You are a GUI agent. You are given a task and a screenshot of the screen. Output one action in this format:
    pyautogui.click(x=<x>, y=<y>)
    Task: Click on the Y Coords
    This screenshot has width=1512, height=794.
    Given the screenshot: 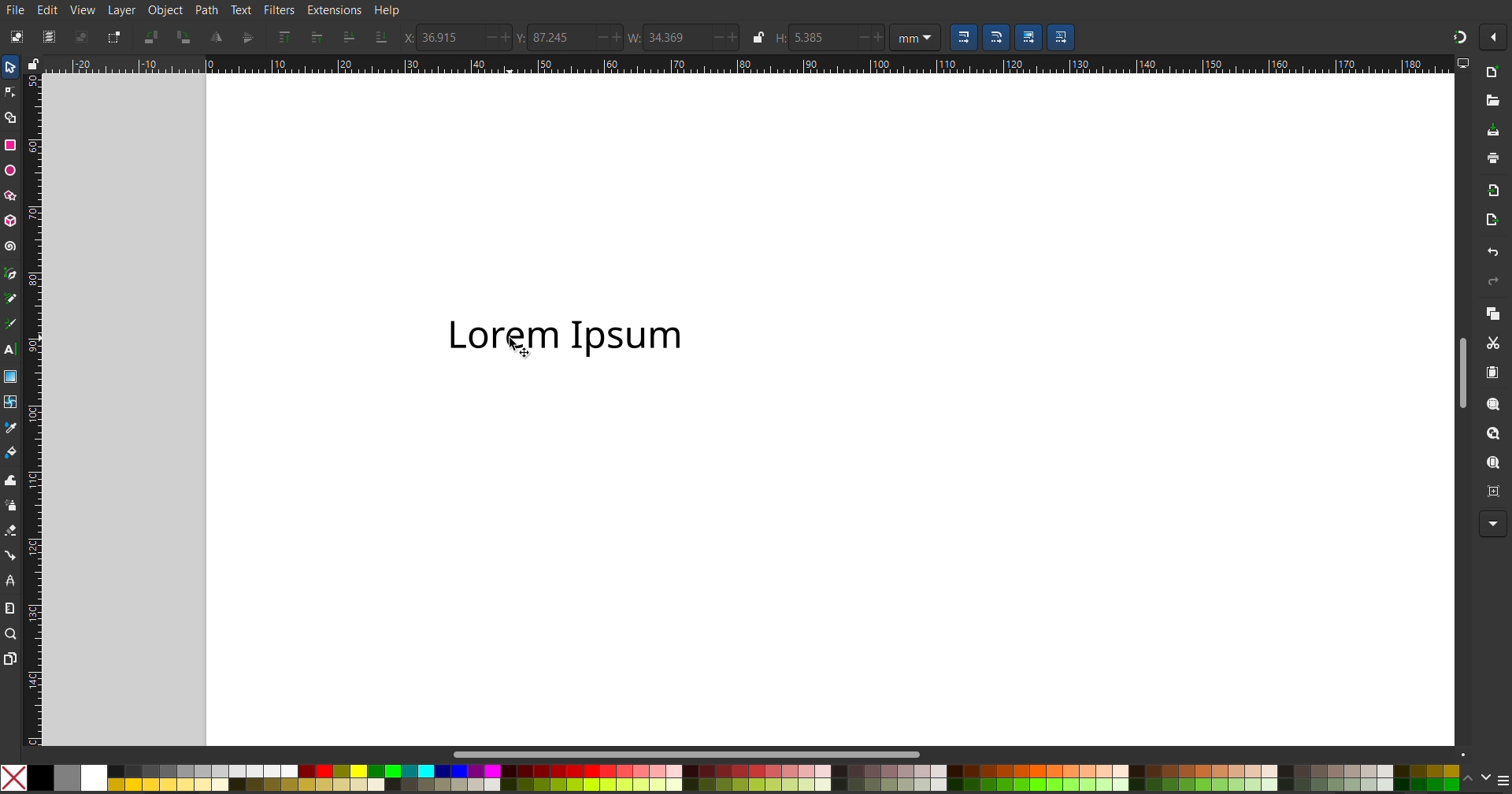 What is the action you would take?
    pyautogui.click(x=569, y=38)
    